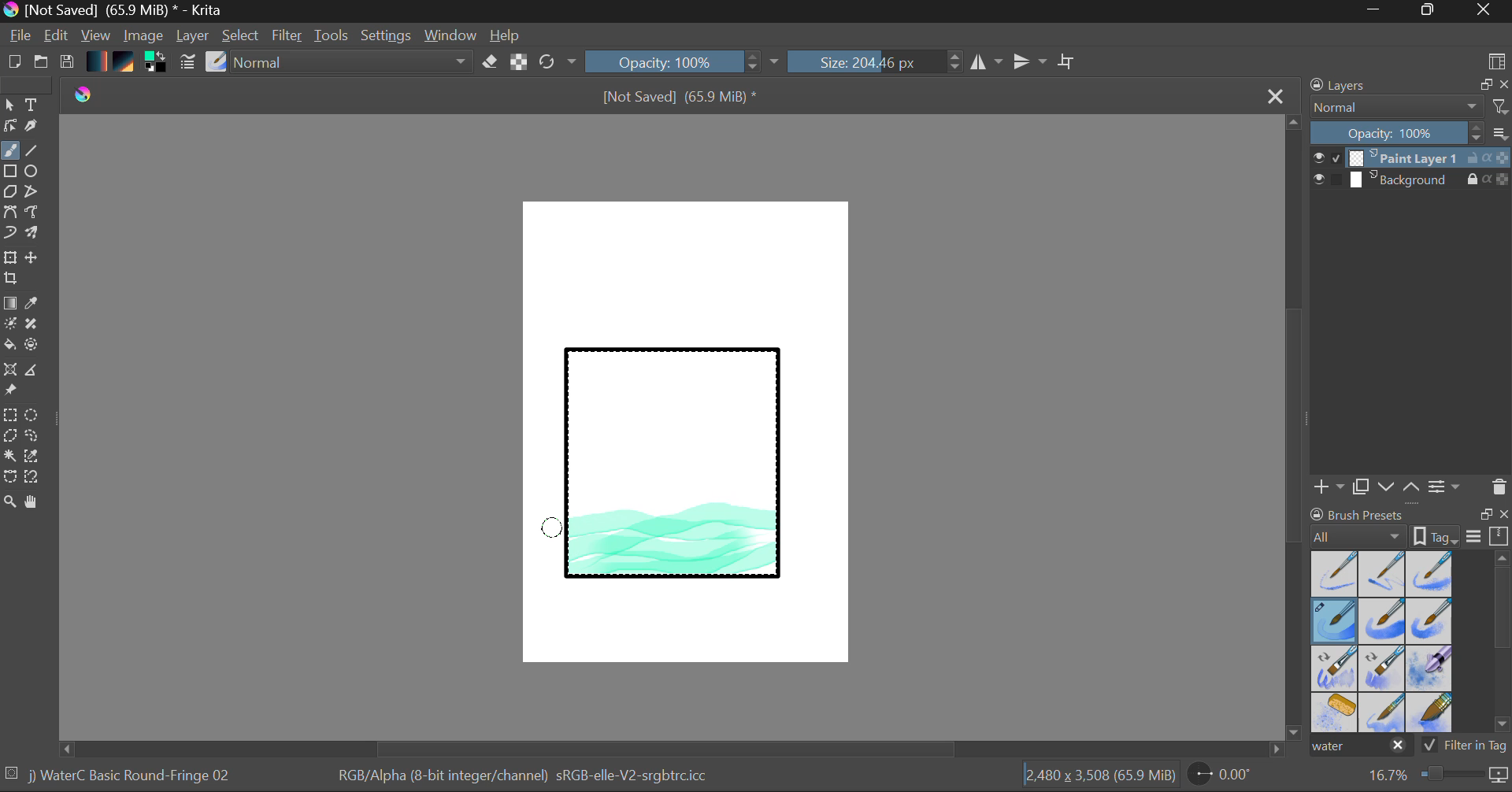 Image resolution: width=1512 pixels, height=792 pixels. What do you see at coordinates (1412, 160) in the screenshot?
I see `Layer 1` at bounding box center [1412, 160].